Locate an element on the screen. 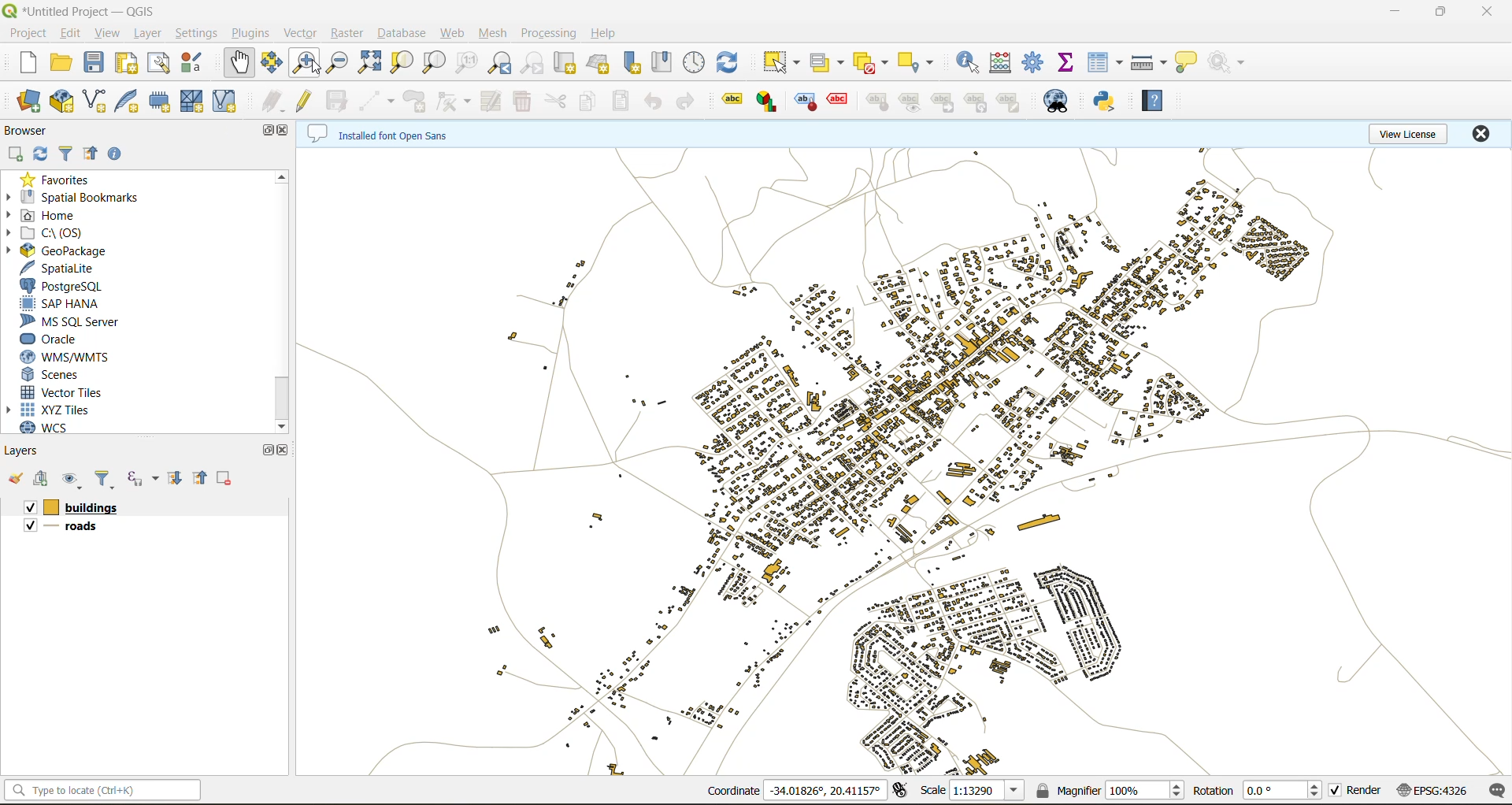  coordinates is located at coordinates (799, 790).